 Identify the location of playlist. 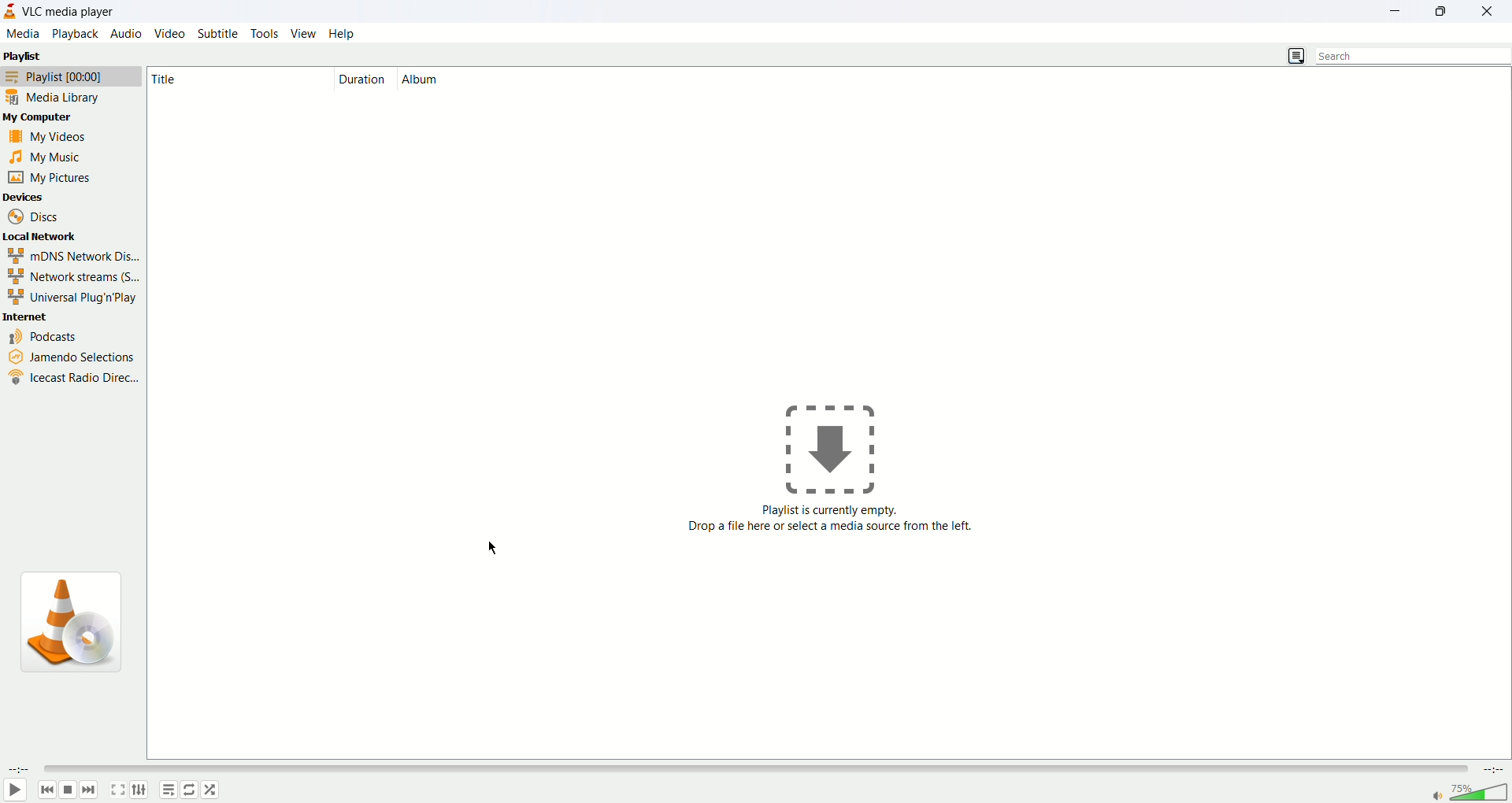
(72, 76).